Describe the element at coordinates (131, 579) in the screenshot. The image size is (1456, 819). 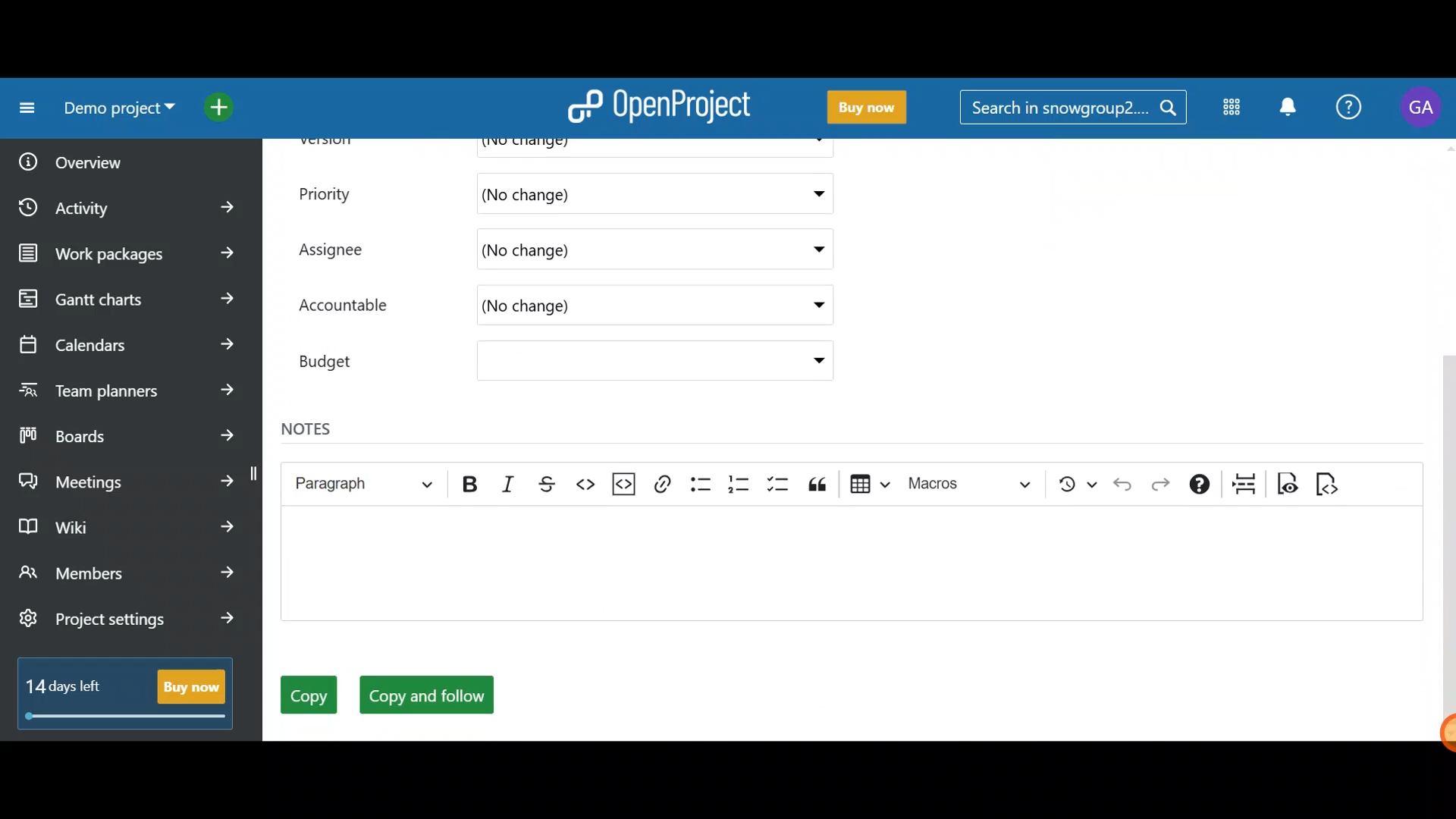
I see `Members` at that location.